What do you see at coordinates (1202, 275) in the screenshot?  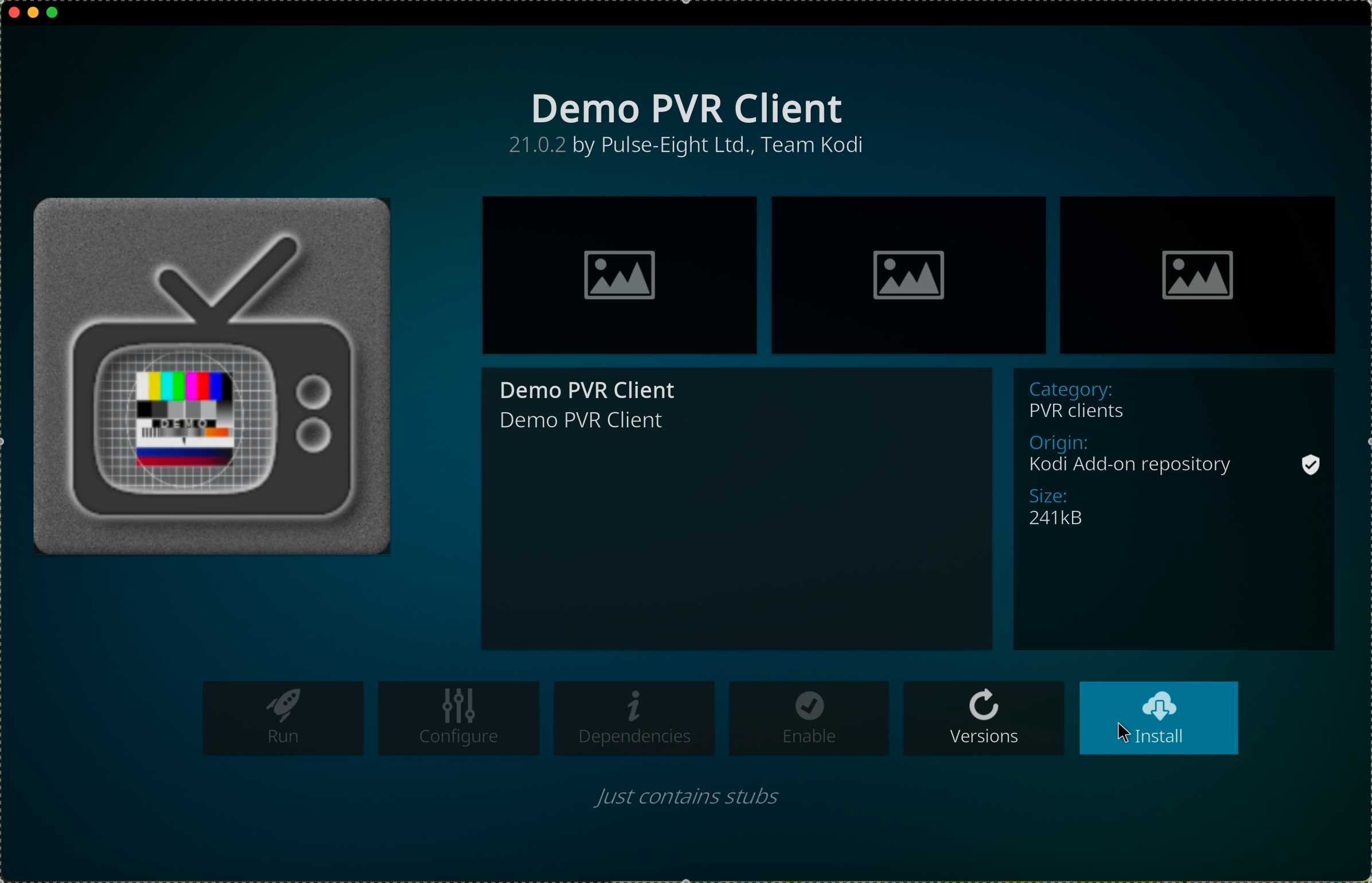 I see `image icon` at bounding box center [1202, 275].